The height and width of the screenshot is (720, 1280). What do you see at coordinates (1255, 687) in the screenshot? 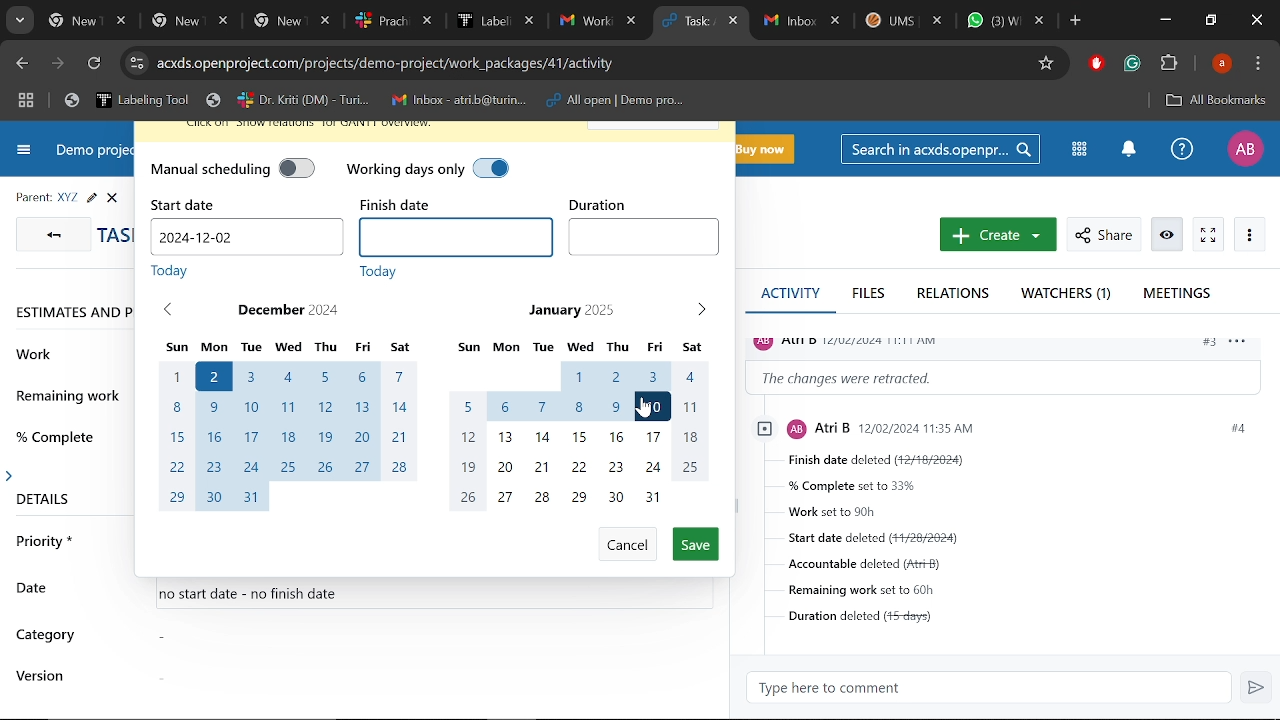
I see `Send` at bounding box center [1255, 687].